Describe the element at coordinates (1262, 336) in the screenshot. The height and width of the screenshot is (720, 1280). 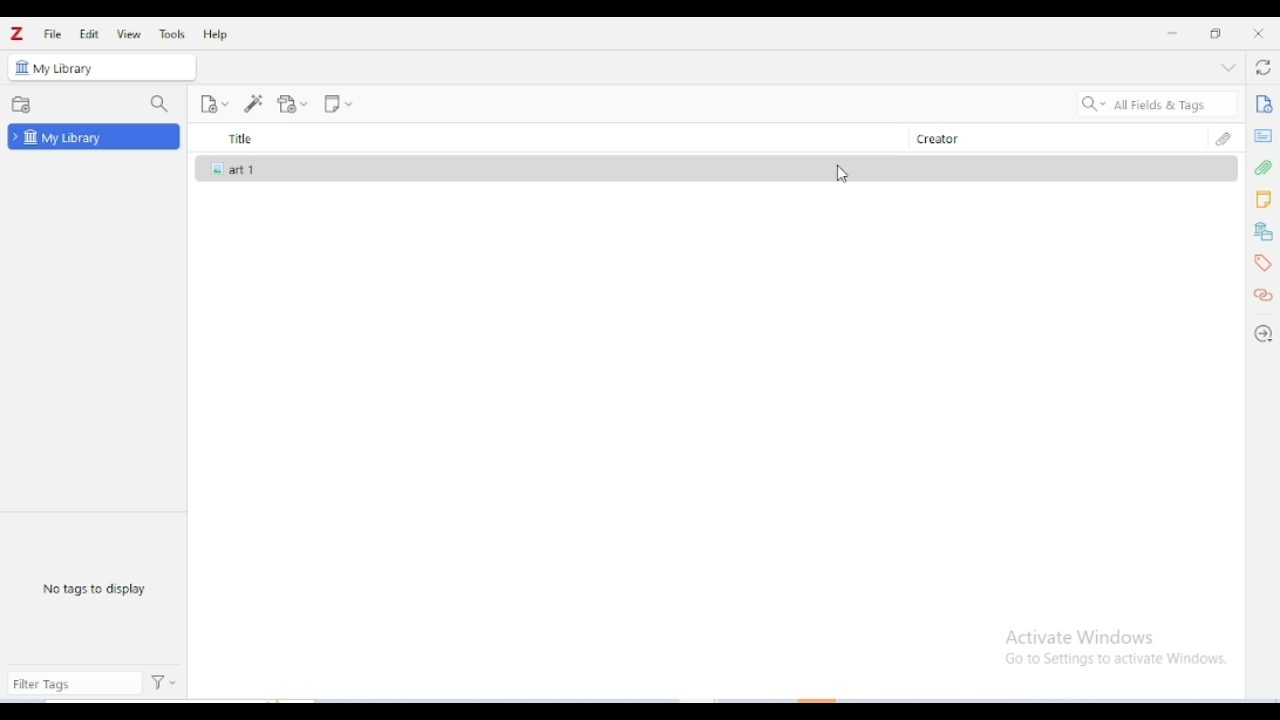
I see `locate` at that location.